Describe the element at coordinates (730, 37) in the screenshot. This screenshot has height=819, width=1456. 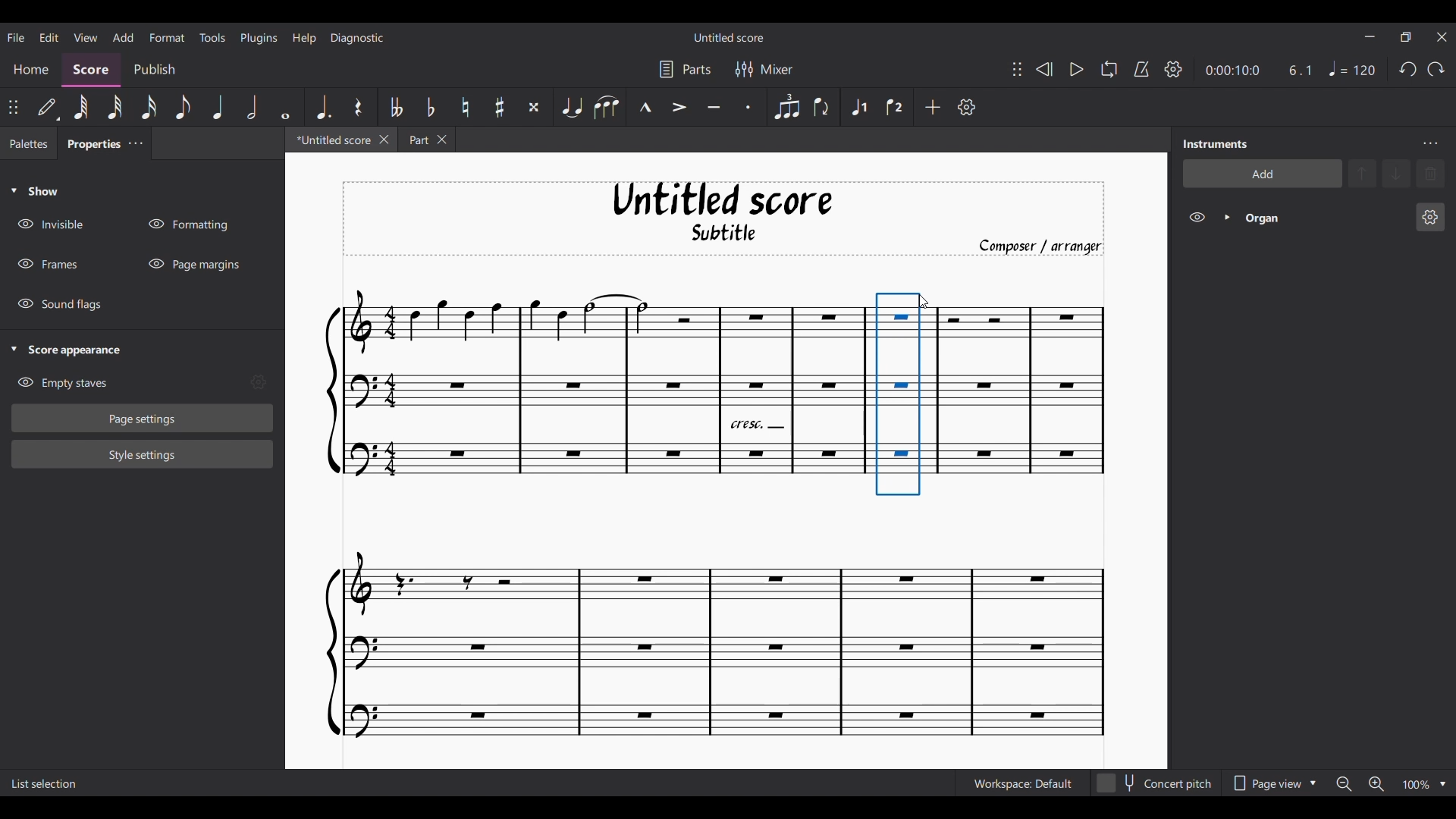
I see `Score name` at that location.